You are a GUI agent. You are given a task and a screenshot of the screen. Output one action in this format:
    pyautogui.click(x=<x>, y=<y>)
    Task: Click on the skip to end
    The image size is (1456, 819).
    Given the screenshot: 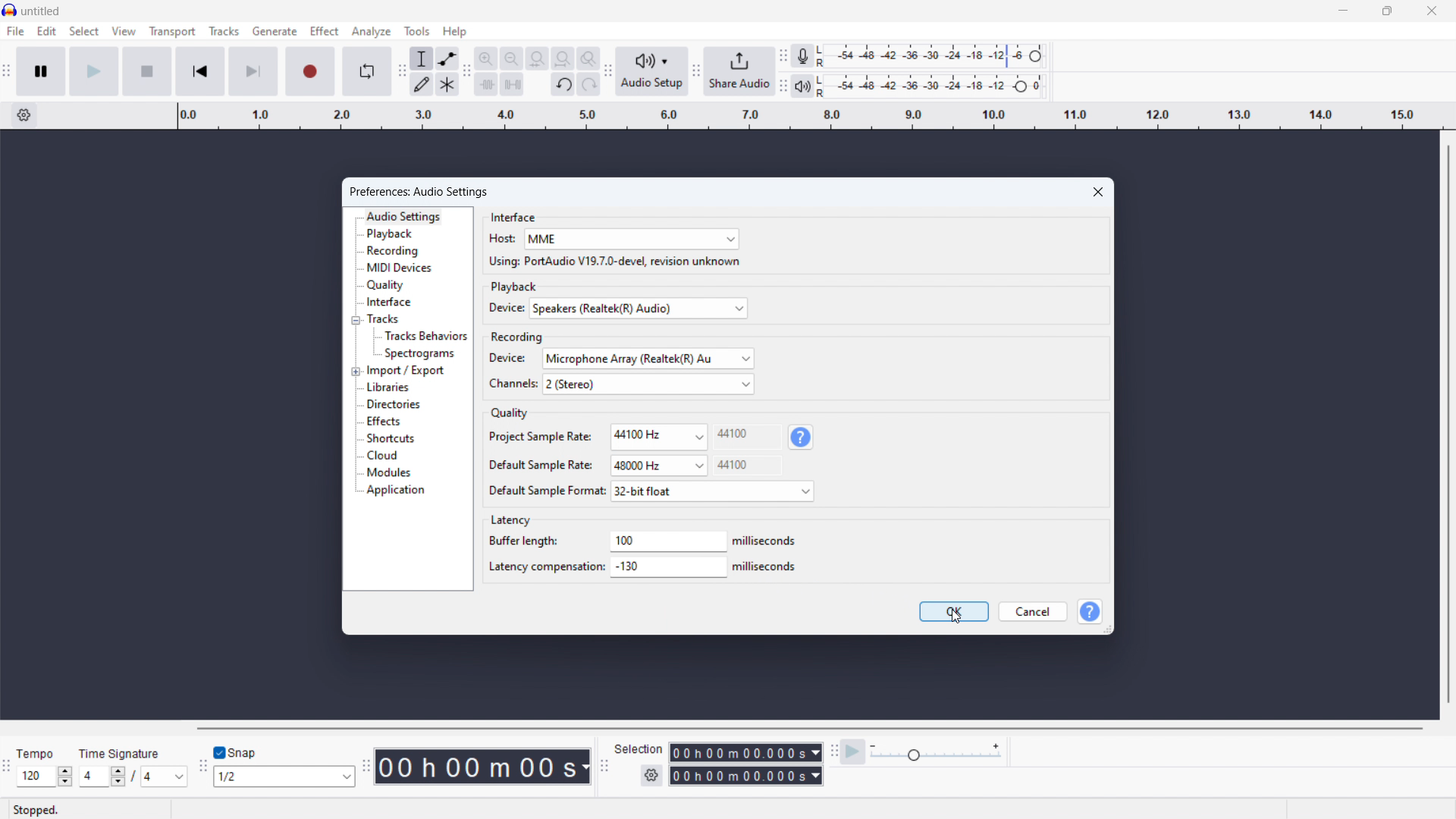 What is the action you would take?
    pyautogui.click(x=255, y=71)
    